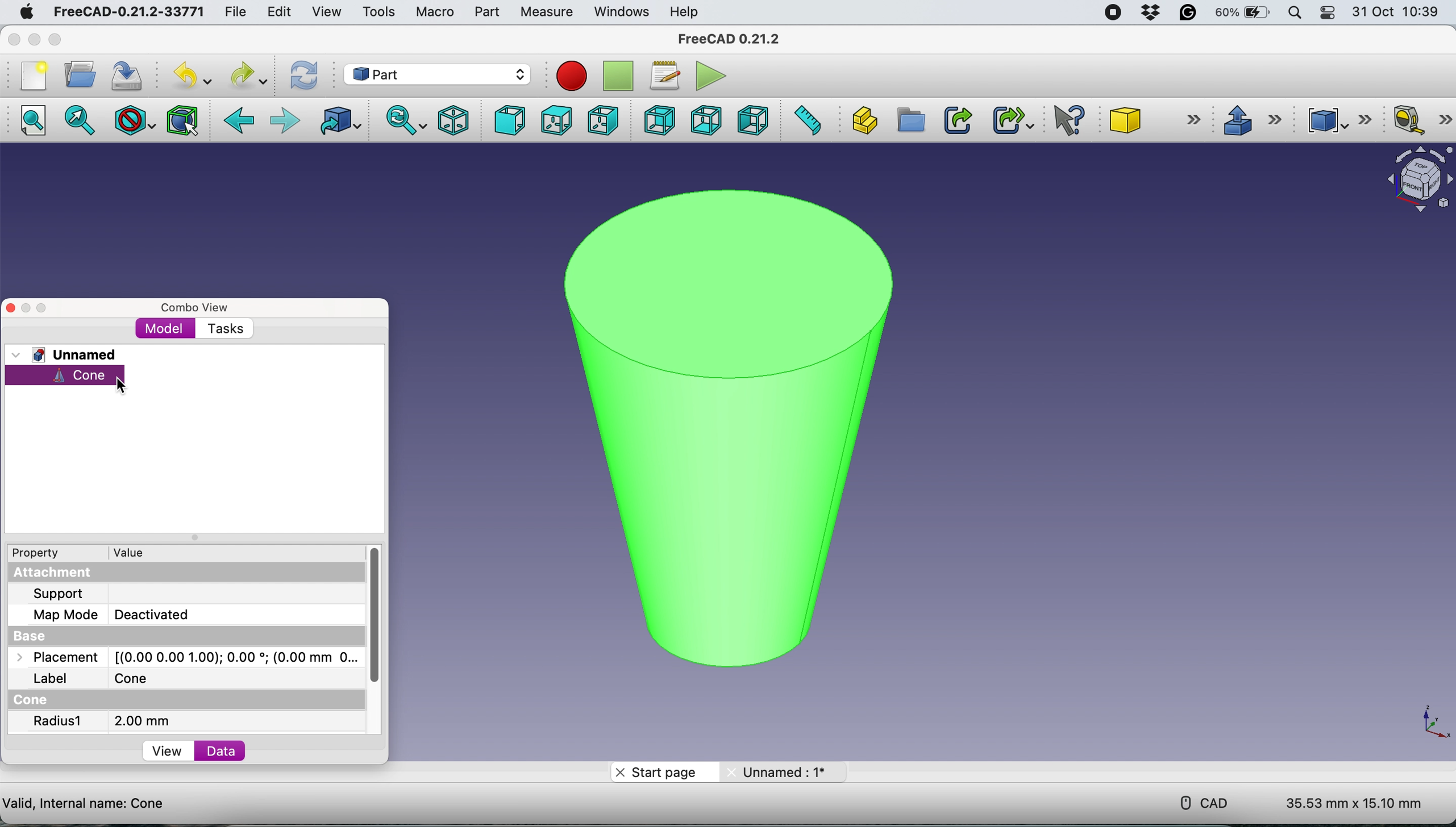 The height and width of the screenshot is (827, 1456). I want to click on support, so click(61, 594).